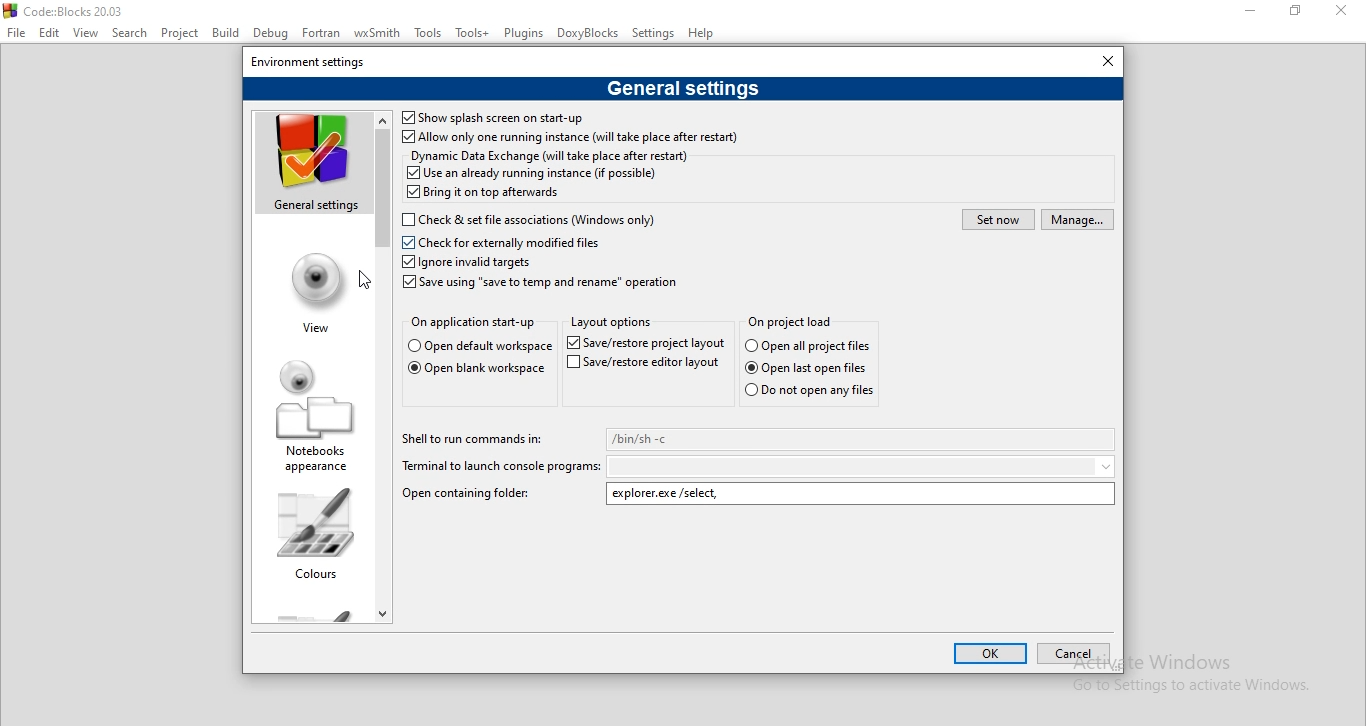 The width and height of the screenshot is (1366, 726). What do you see at coordinates (643, 345) in the screenshot?
I see `Save/restore project layout` at bounding box center [643, 345].